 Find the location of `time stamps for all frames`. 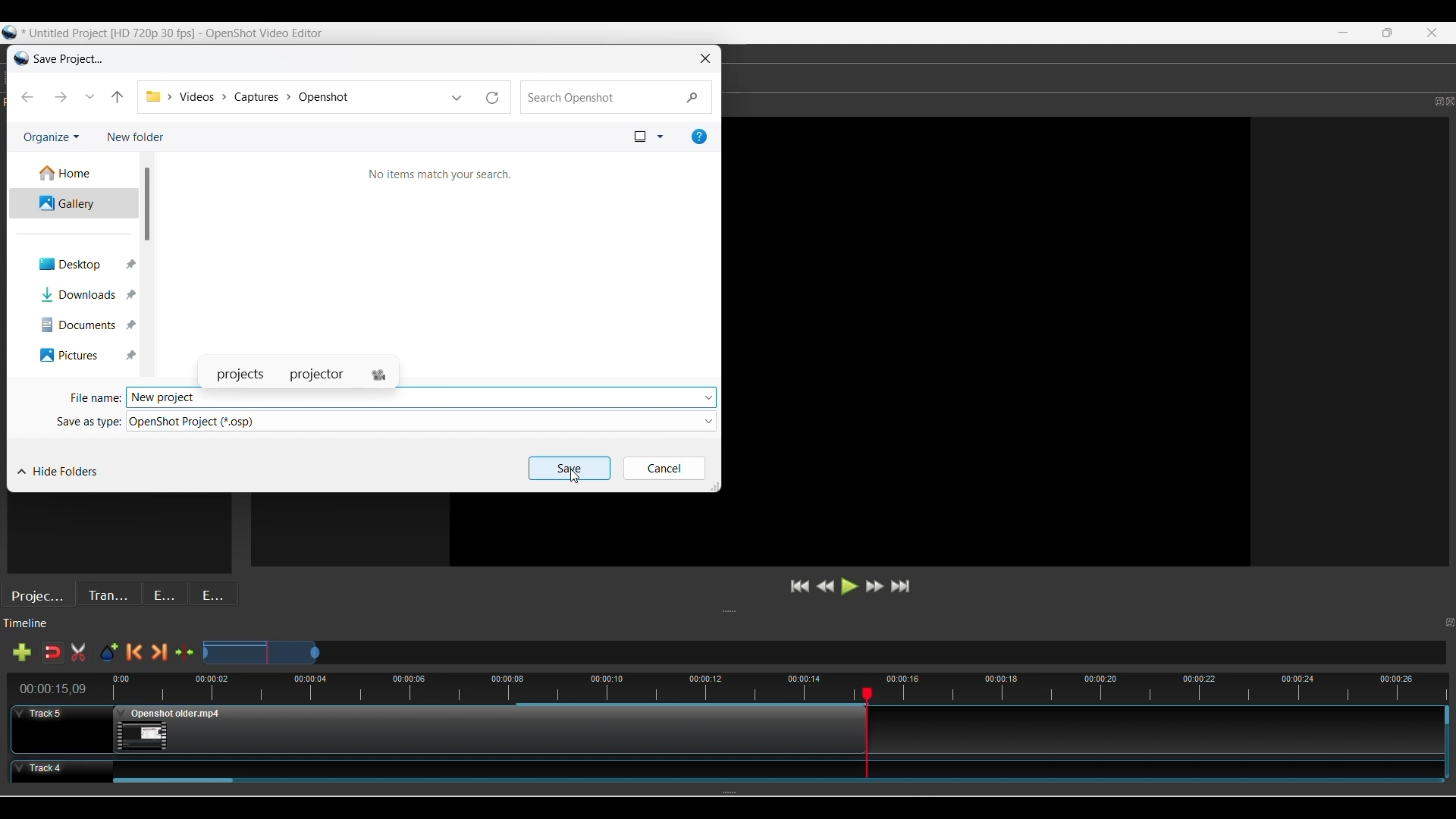

time stamps for all frames is located at coordinates (1167, 686).